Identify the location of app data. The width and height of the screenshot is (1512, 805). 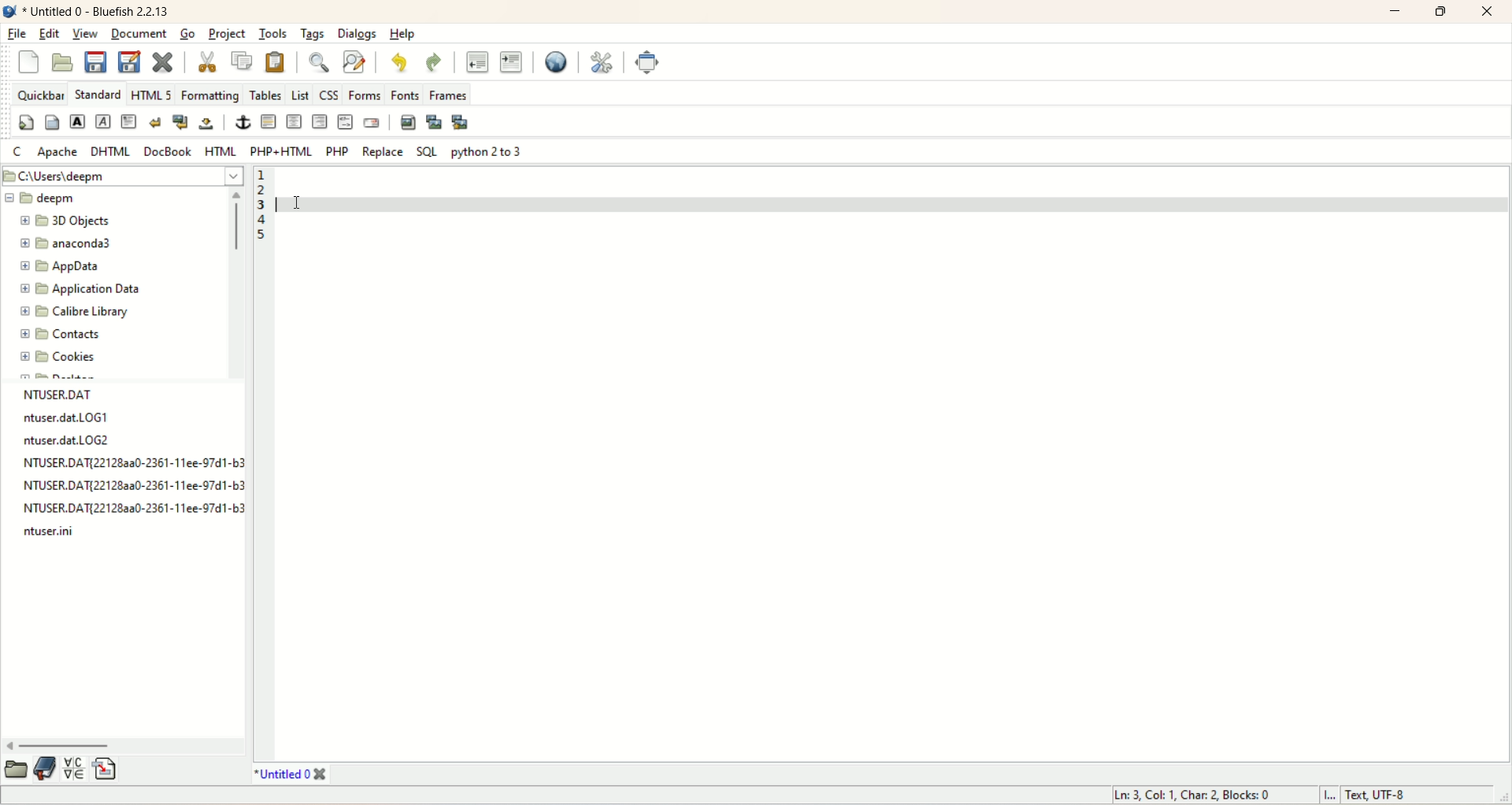
(61, 267).